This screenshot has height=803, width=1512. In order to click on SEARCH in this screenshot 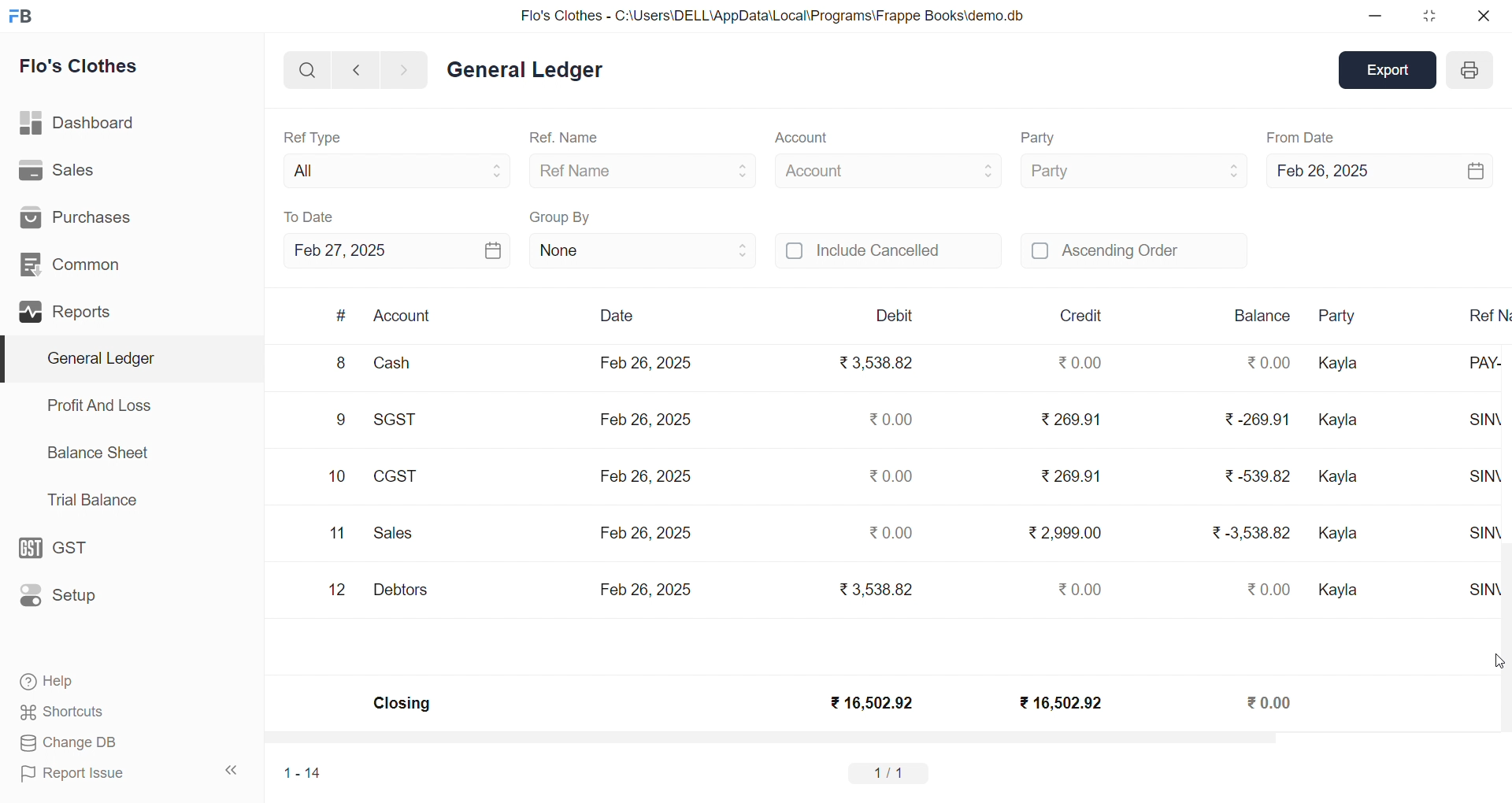, I will do `click(306, 68)`.